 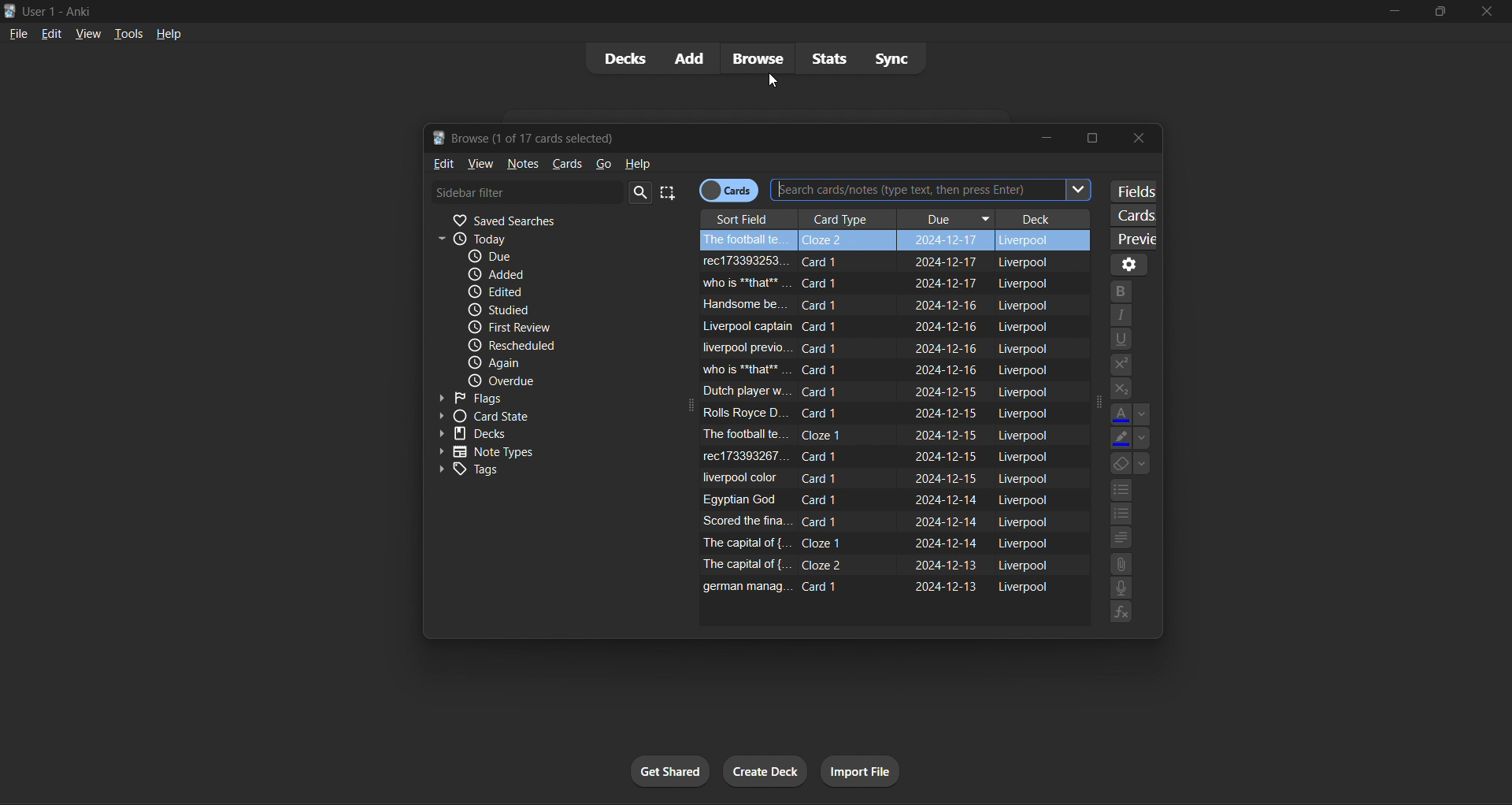 What do you see at coordinates (444, 164) in the screenshot?
I see `edit` at bounding box center [444, 164].